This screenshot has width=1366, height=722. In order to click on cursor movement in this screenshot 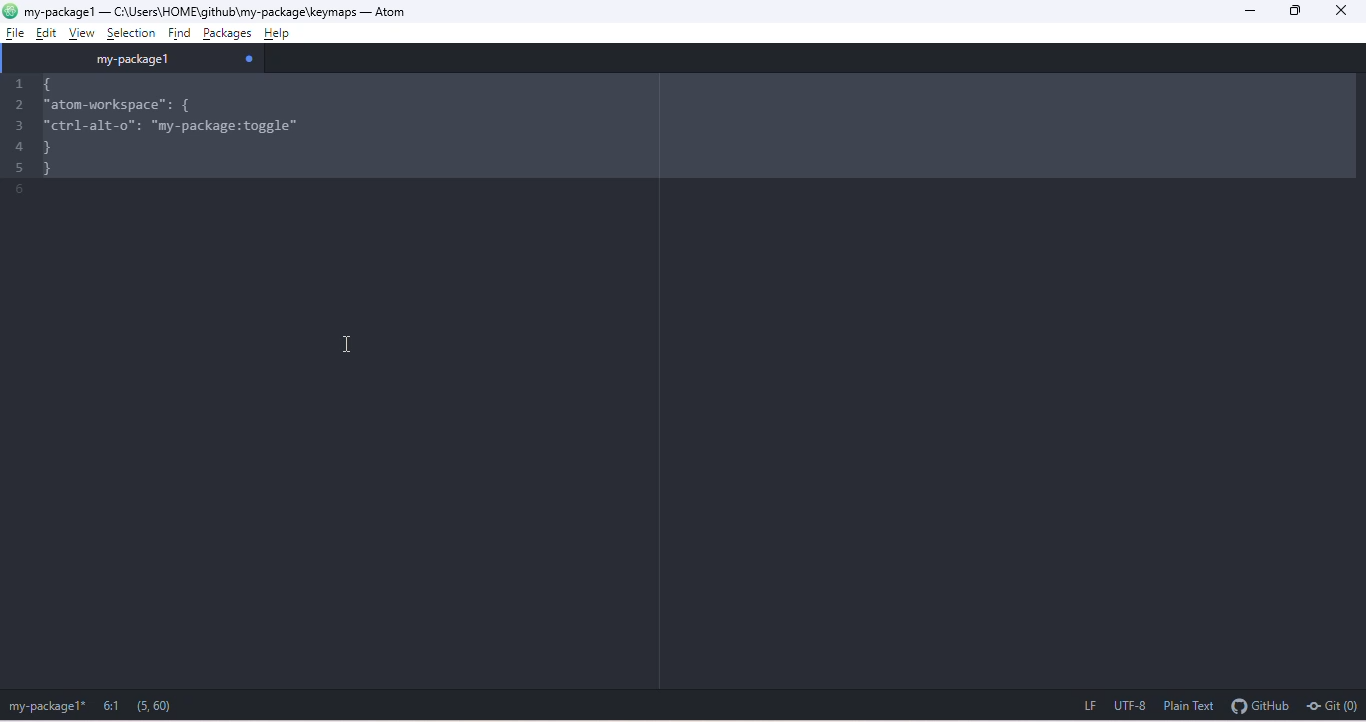, I will do `click(48, 33)`.